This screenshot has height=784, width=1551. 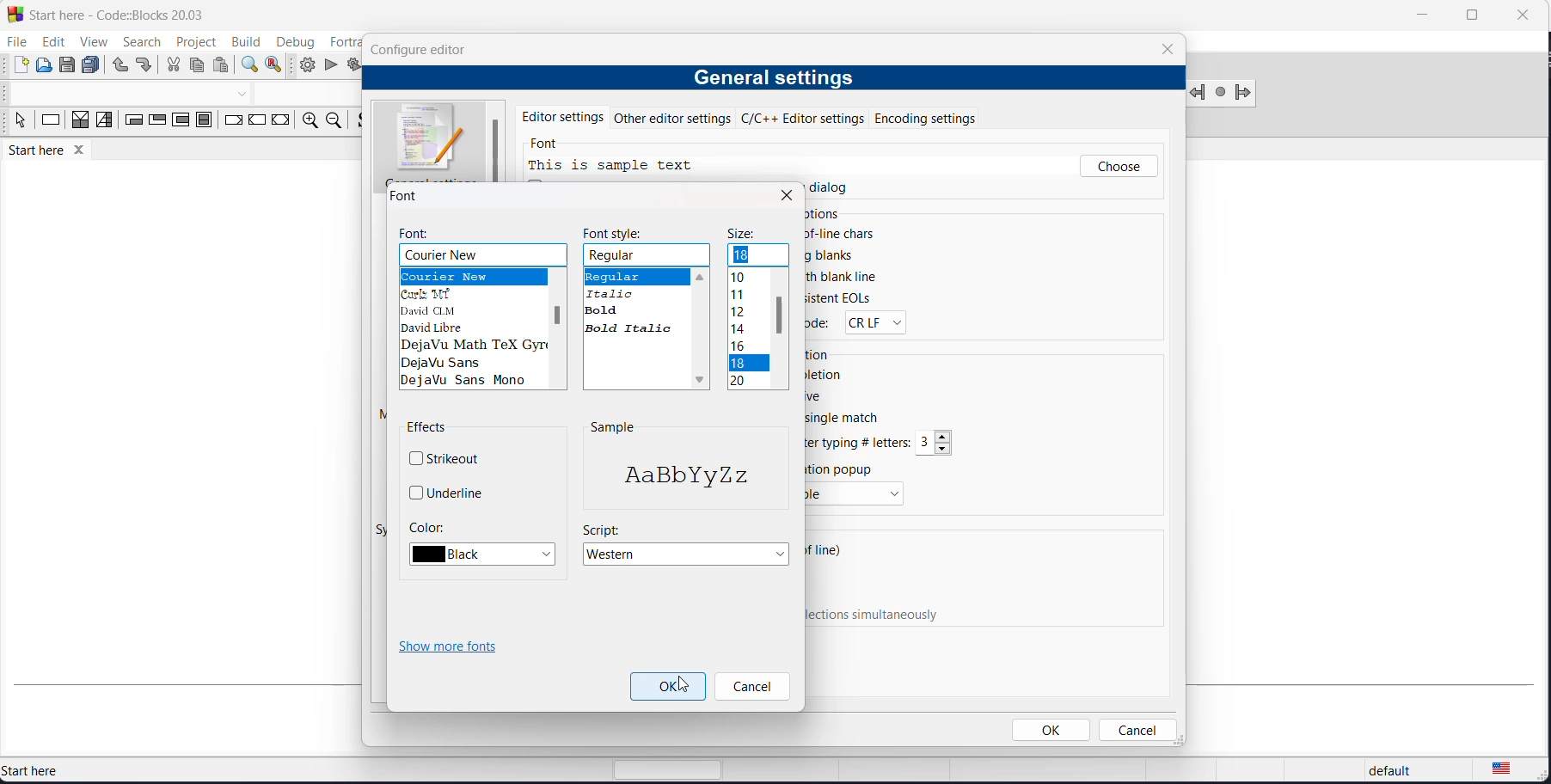 What do you see at coordinates (248, 65) in the screenshot?
I see `find` at bounding box center [248, 65].